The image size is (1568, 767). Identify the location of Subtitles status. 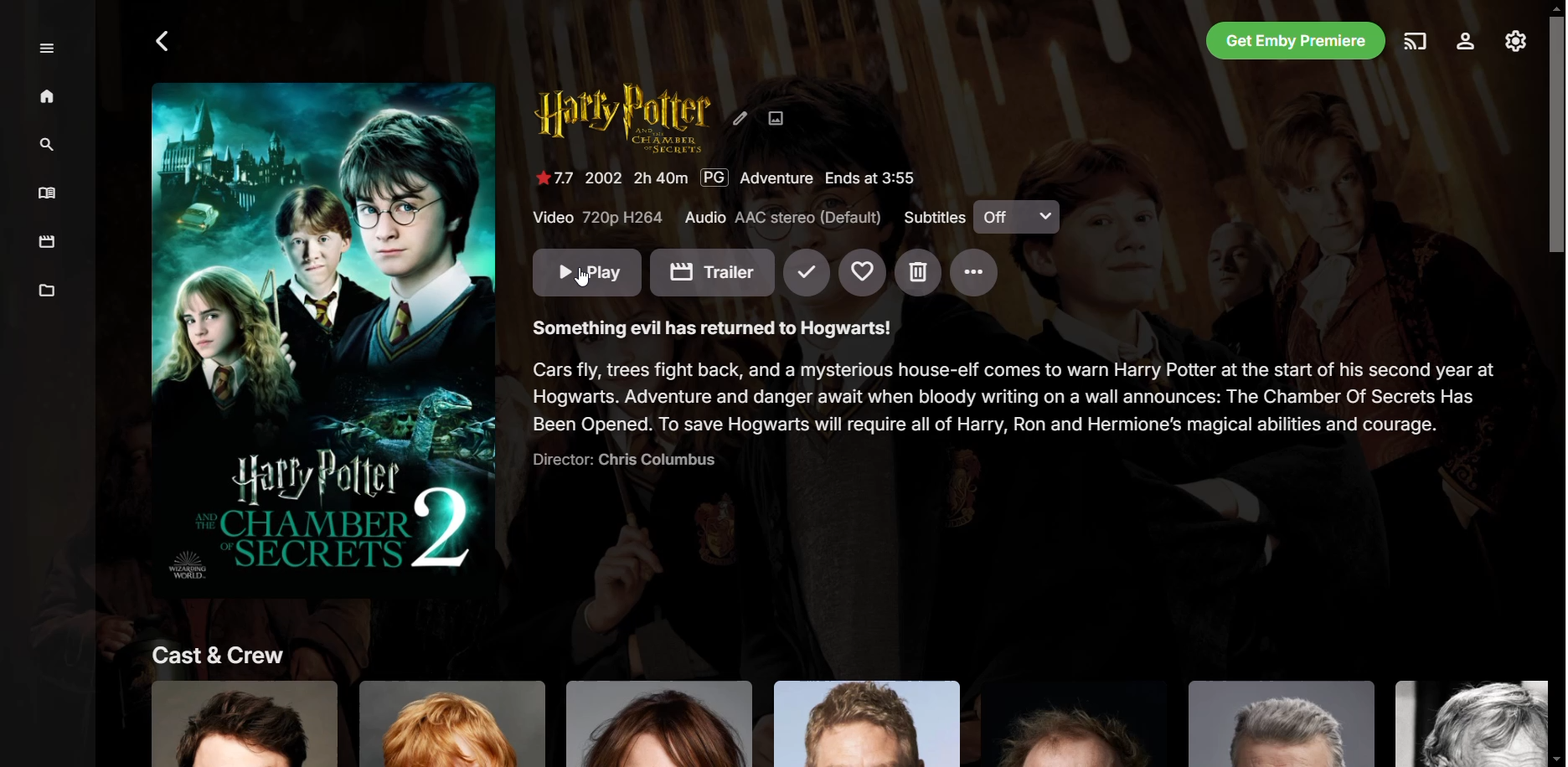
(977, 216).